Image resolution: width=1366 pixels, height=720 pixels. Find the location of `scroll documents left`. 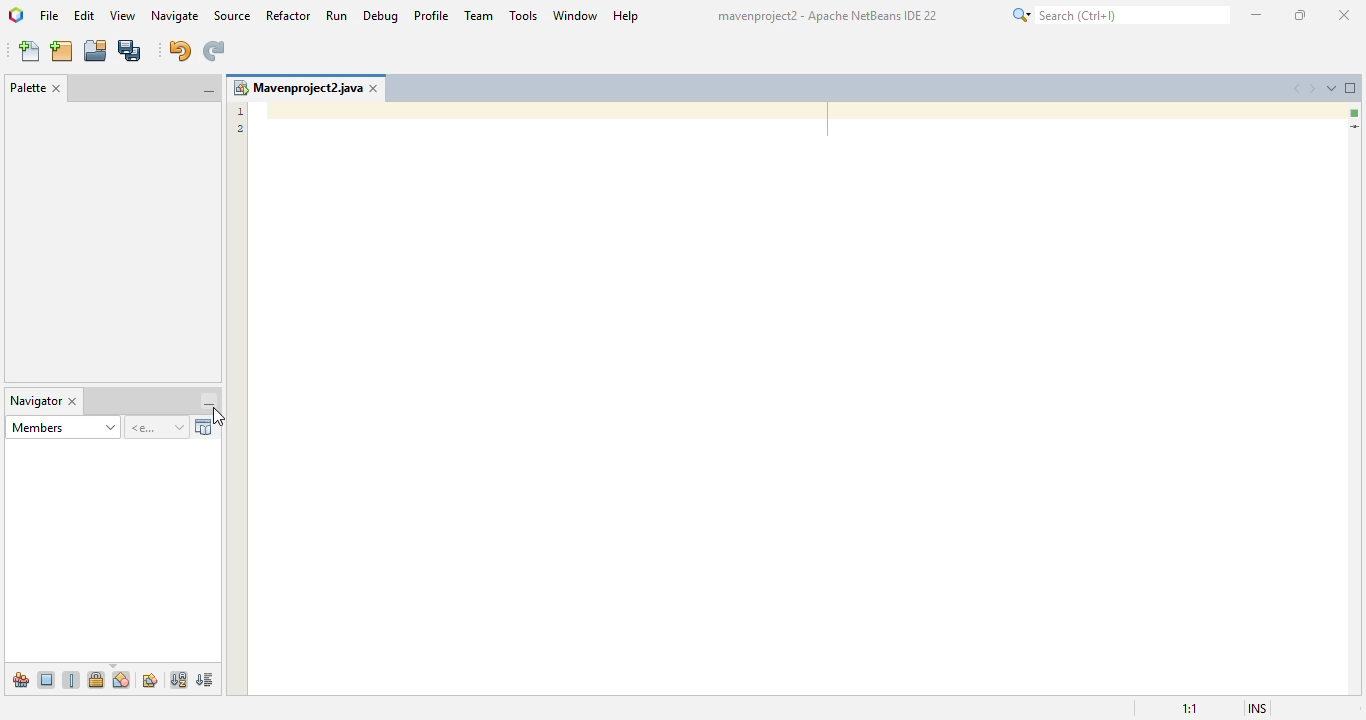

scroll documents left is located at coordinates (1299, 89).